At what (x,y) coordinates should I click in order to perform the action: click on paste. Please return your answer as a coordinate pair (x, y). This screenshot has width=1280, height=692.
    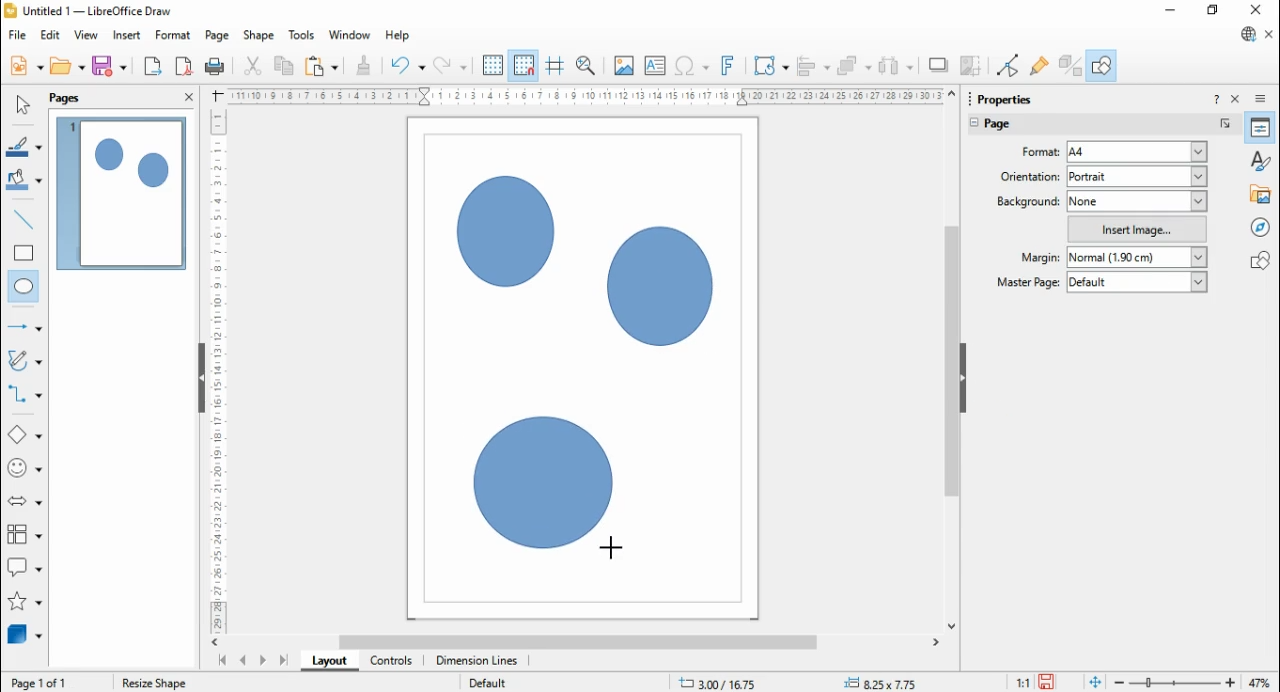
    Looking at the image, I should click on (320, 65).